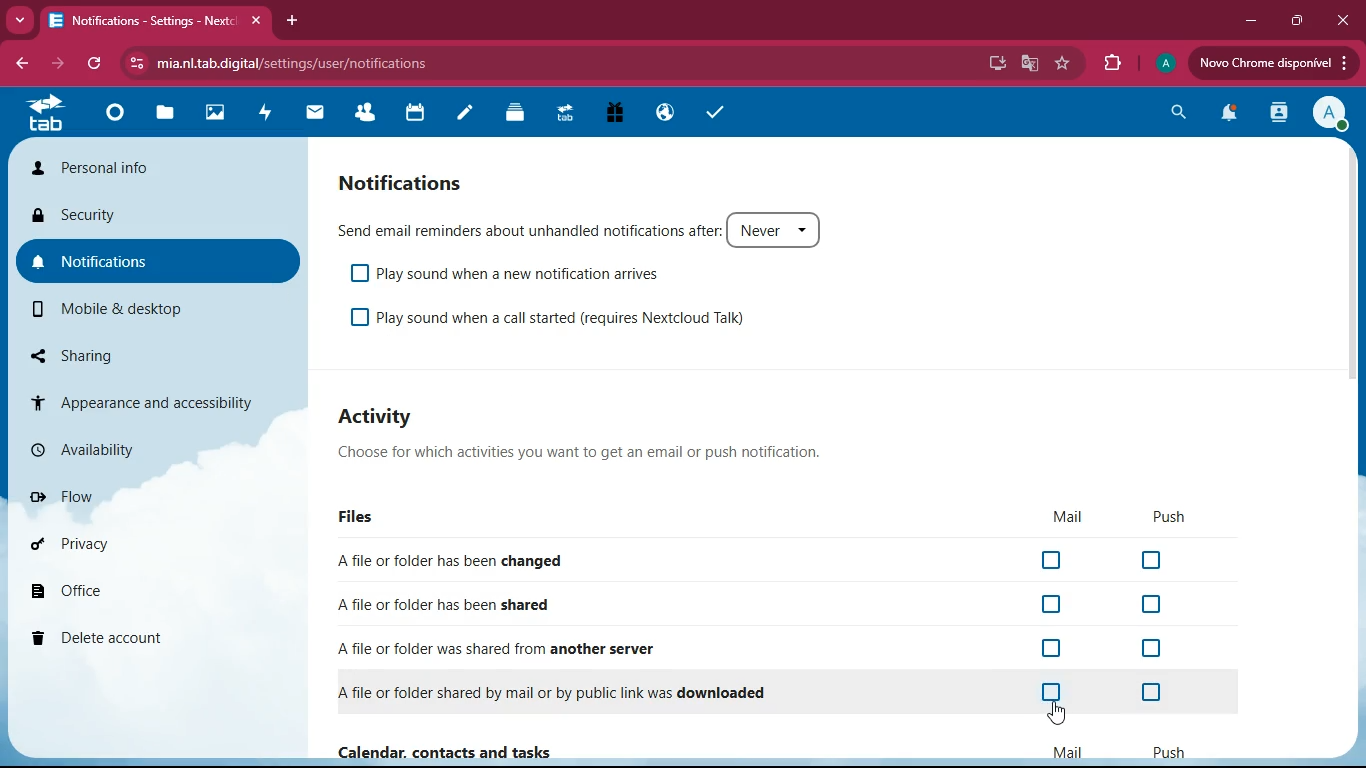 This screenshot has height=768, width=1366. Describe the element at coordinates (1152, 647) in the screenshot. I see `off` at that location.